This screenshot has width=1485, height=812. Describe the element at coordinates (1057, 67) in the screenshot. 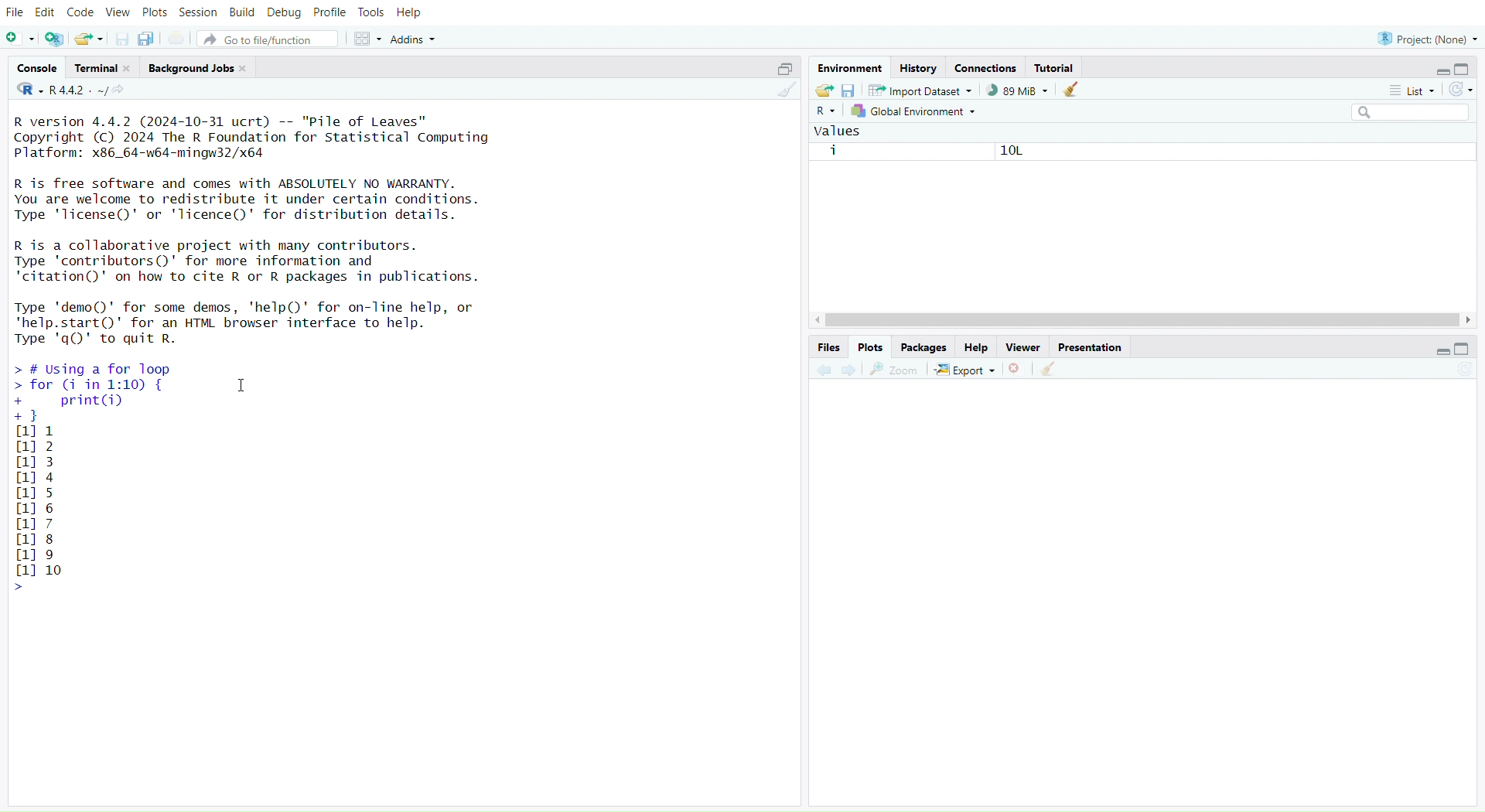

I see `tutorial` at that location.